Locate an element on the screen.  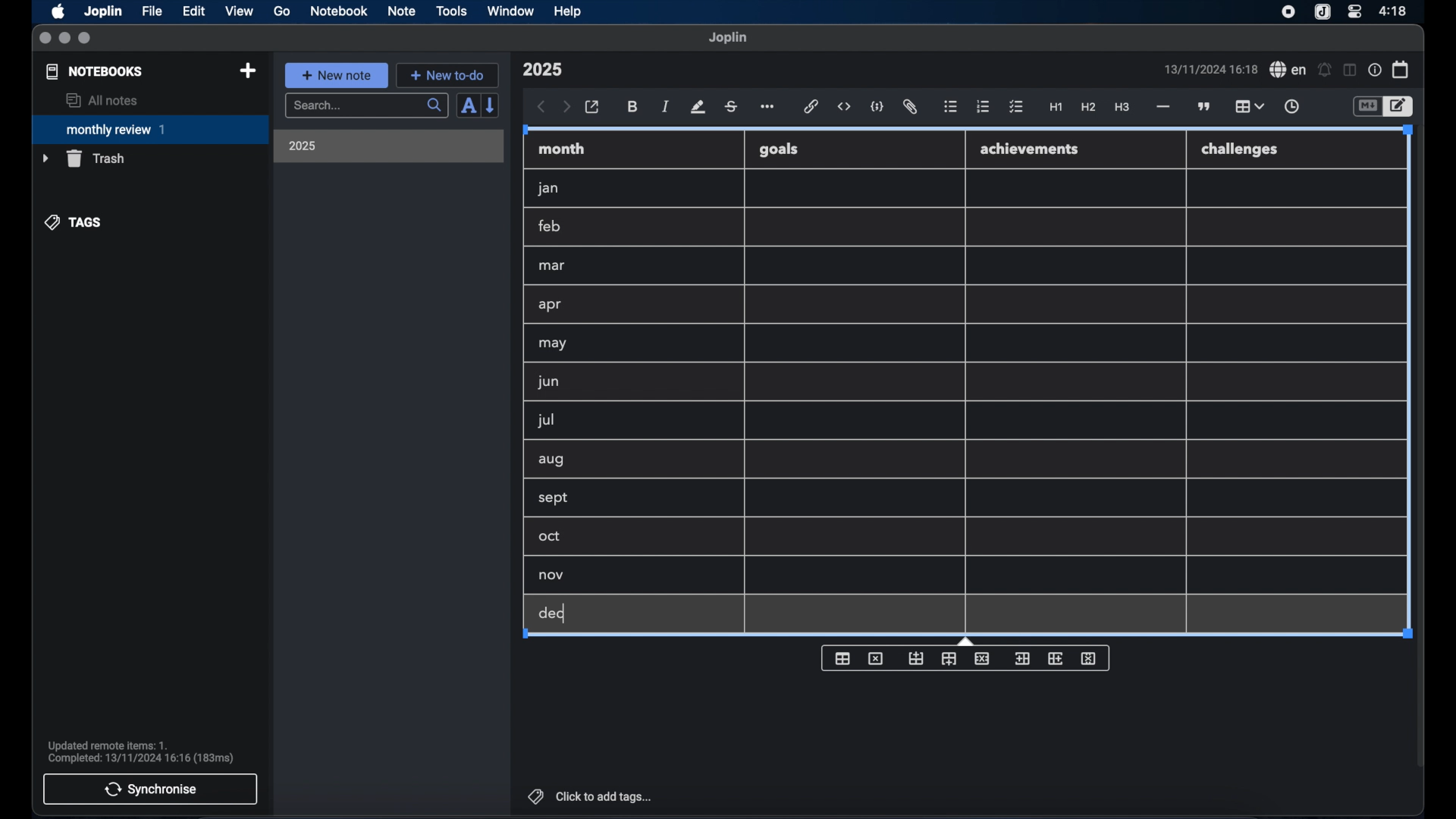
calendar is located at coordinates (1401, 69).